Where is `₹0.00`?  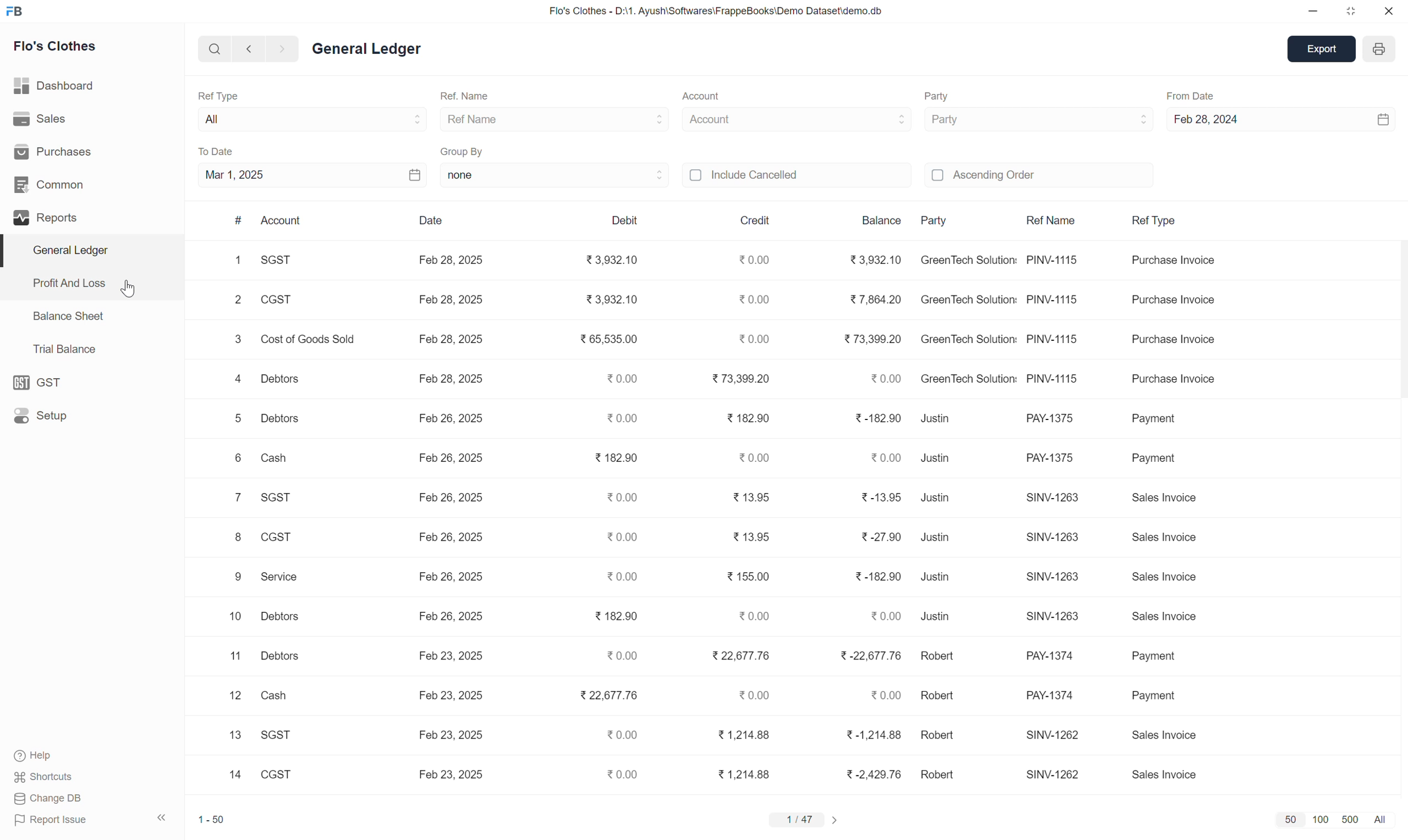
₹0.00 is located at coordinates (754, 262).